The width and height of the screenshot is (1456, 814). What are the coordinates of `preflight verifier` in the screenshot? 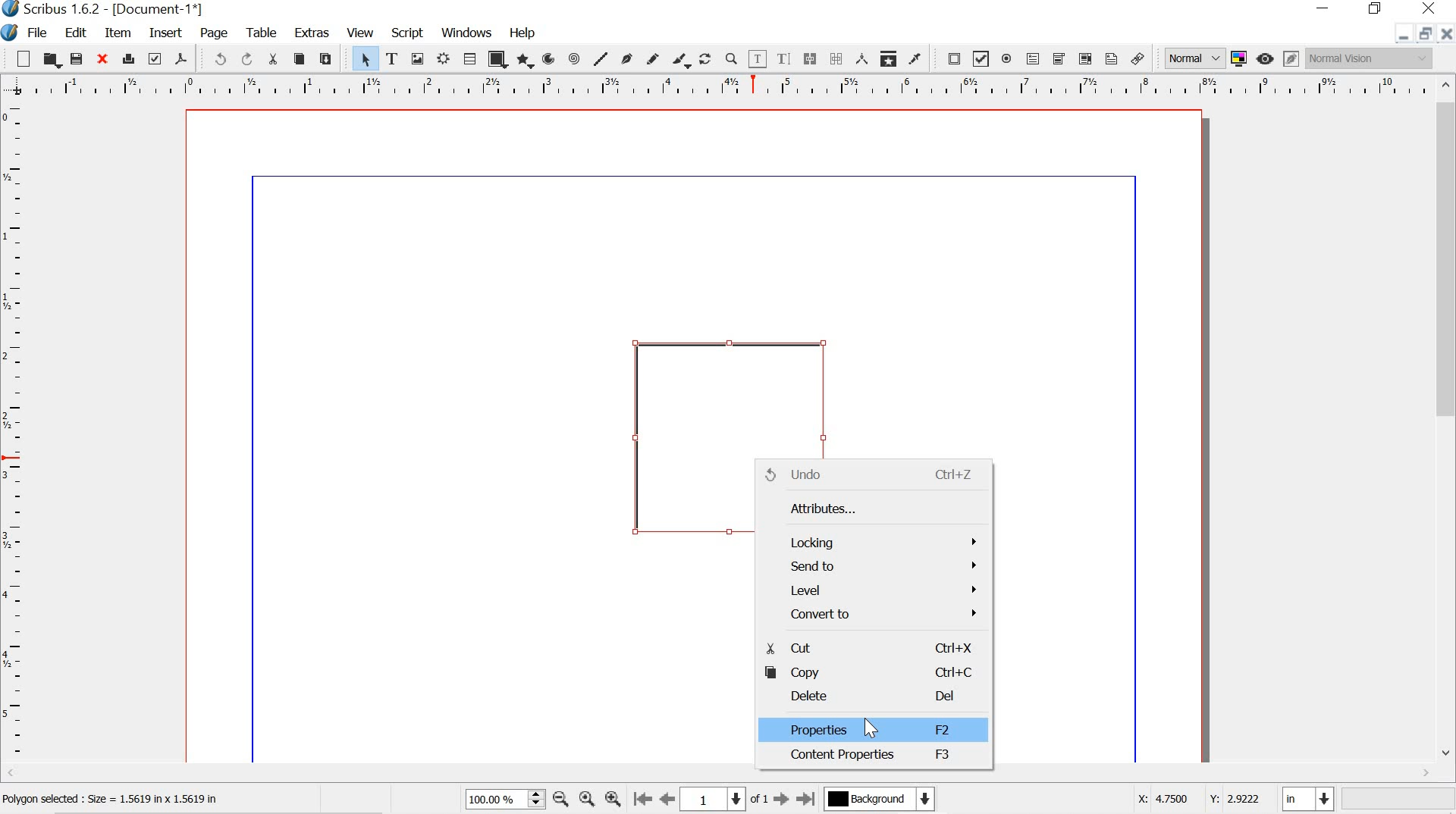 It's located at (156, 61).